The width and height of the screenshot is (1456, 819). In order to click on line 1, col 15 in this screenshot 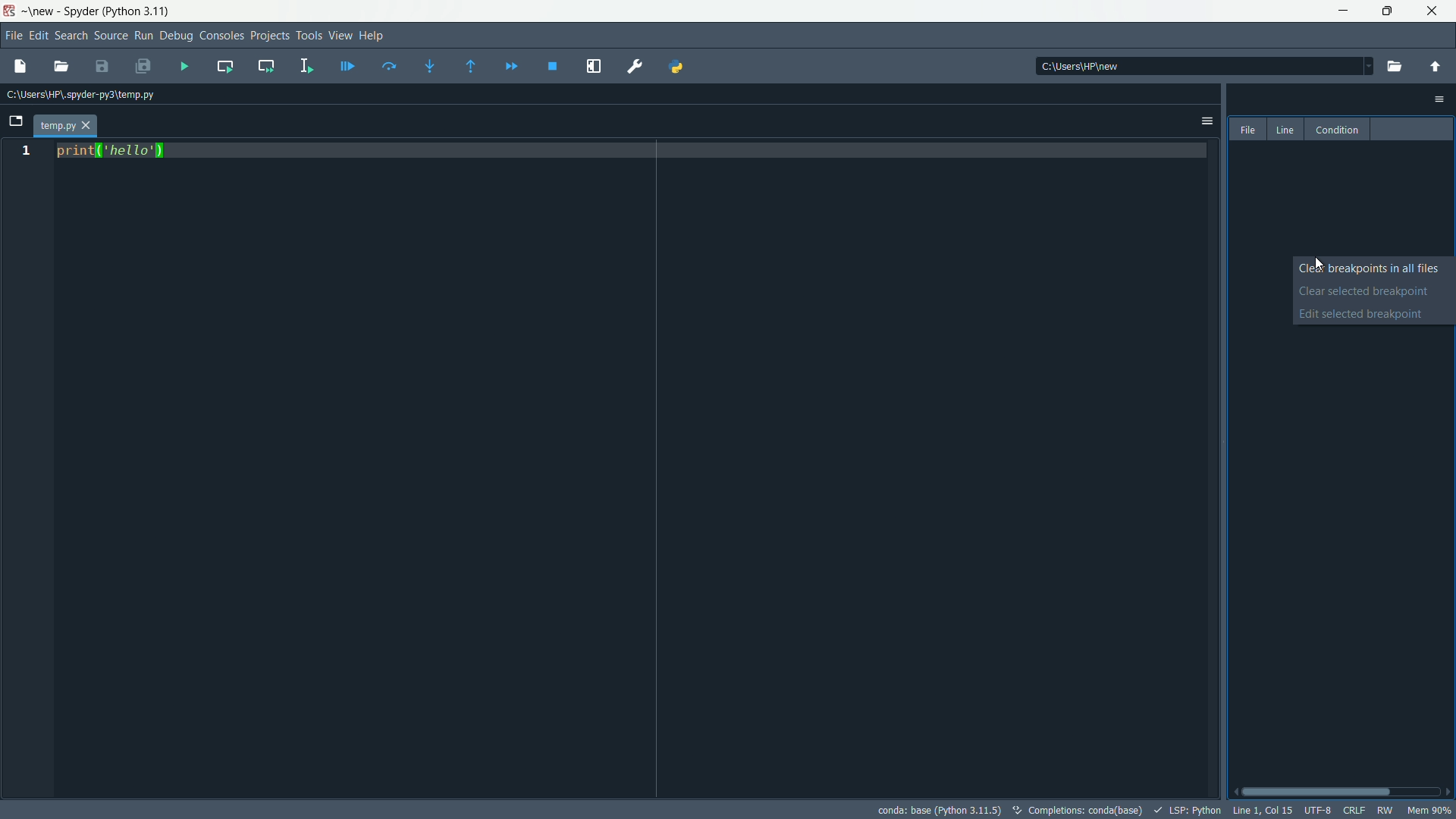, I will do `click(1261, 811)`.